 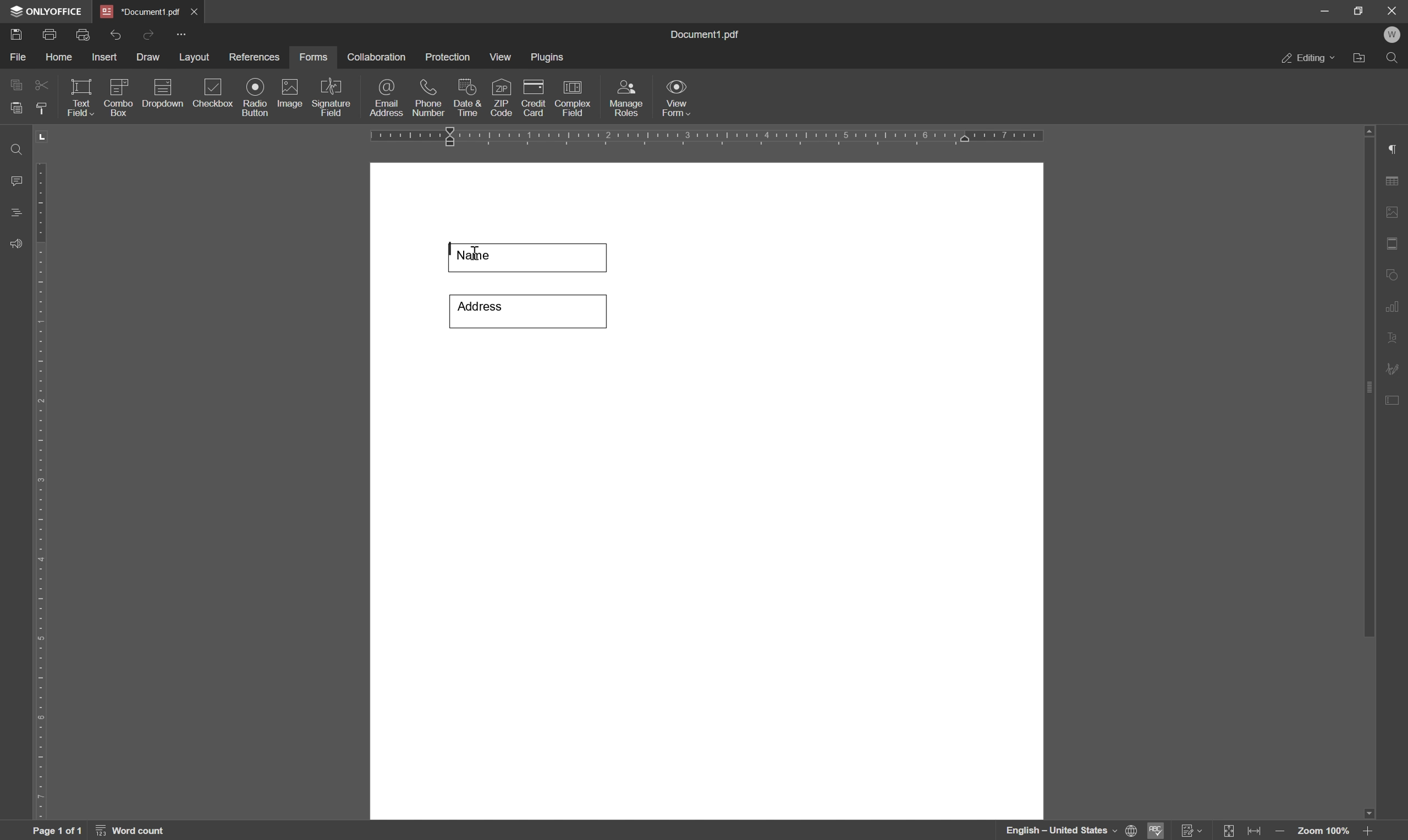 What do you see at coordinates (1395, 61) in the screenshot?
I see `find` at bounding box center [1395, 61].